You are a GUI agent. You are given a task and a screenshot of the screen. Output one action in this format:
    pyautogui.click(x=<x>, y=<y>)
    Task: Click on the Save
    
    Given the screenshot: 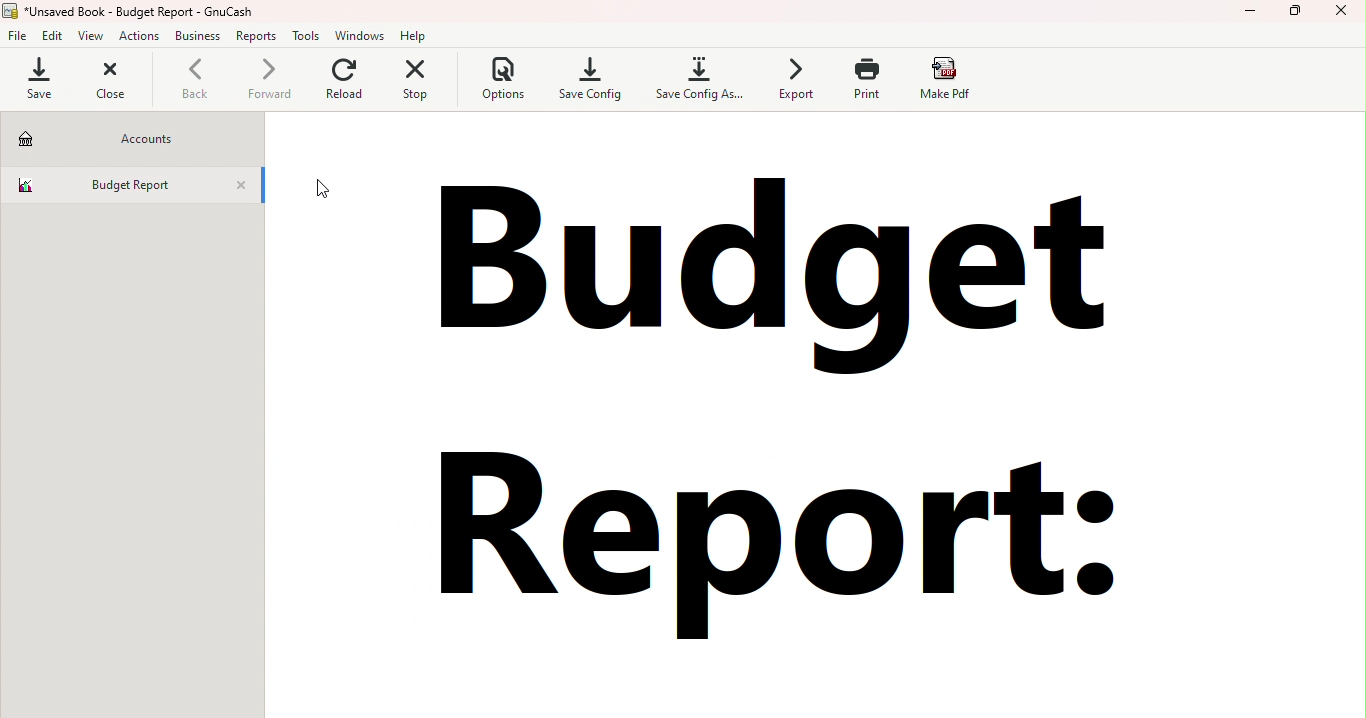 What is the action you would take?
    pyautogui.click(x=36, y=79)
    